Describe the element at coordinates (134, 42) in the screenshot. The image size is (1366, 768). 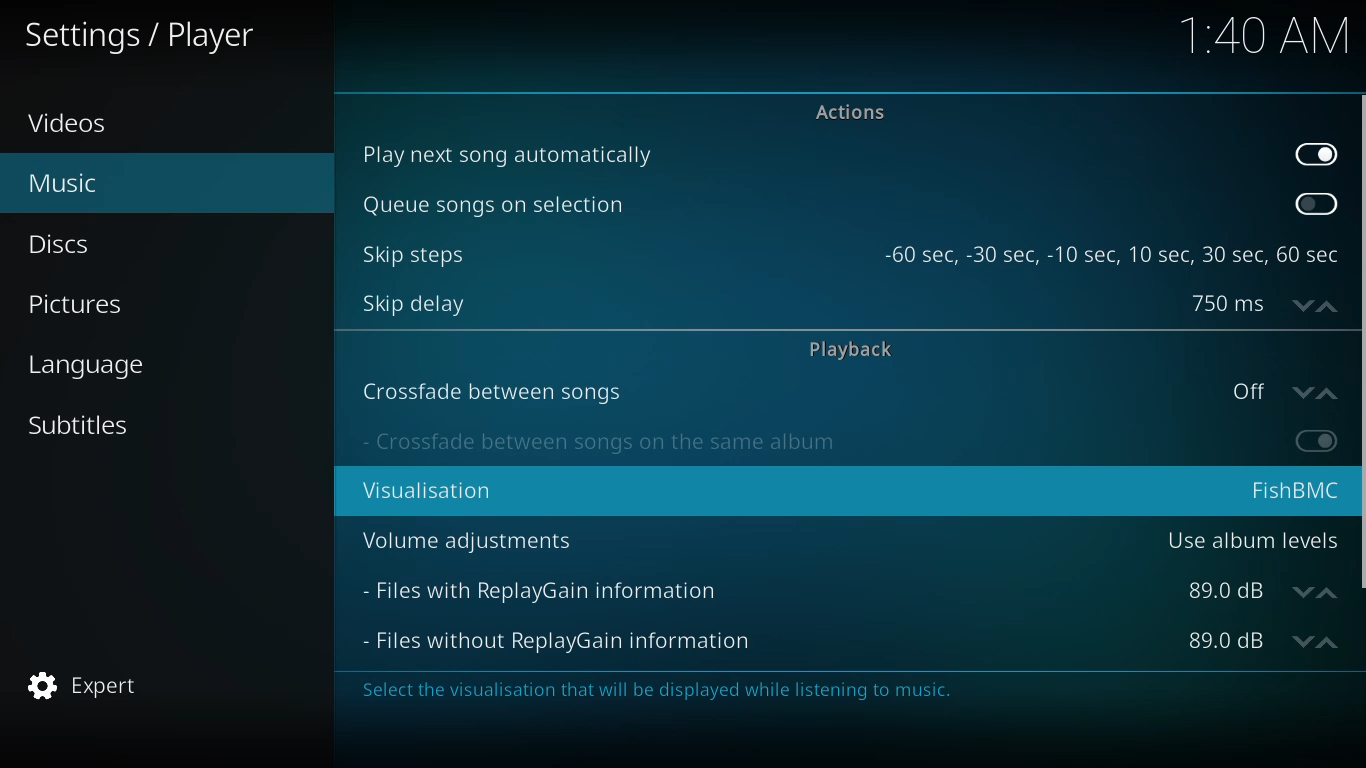
I see `>ettings / Player` at that location.